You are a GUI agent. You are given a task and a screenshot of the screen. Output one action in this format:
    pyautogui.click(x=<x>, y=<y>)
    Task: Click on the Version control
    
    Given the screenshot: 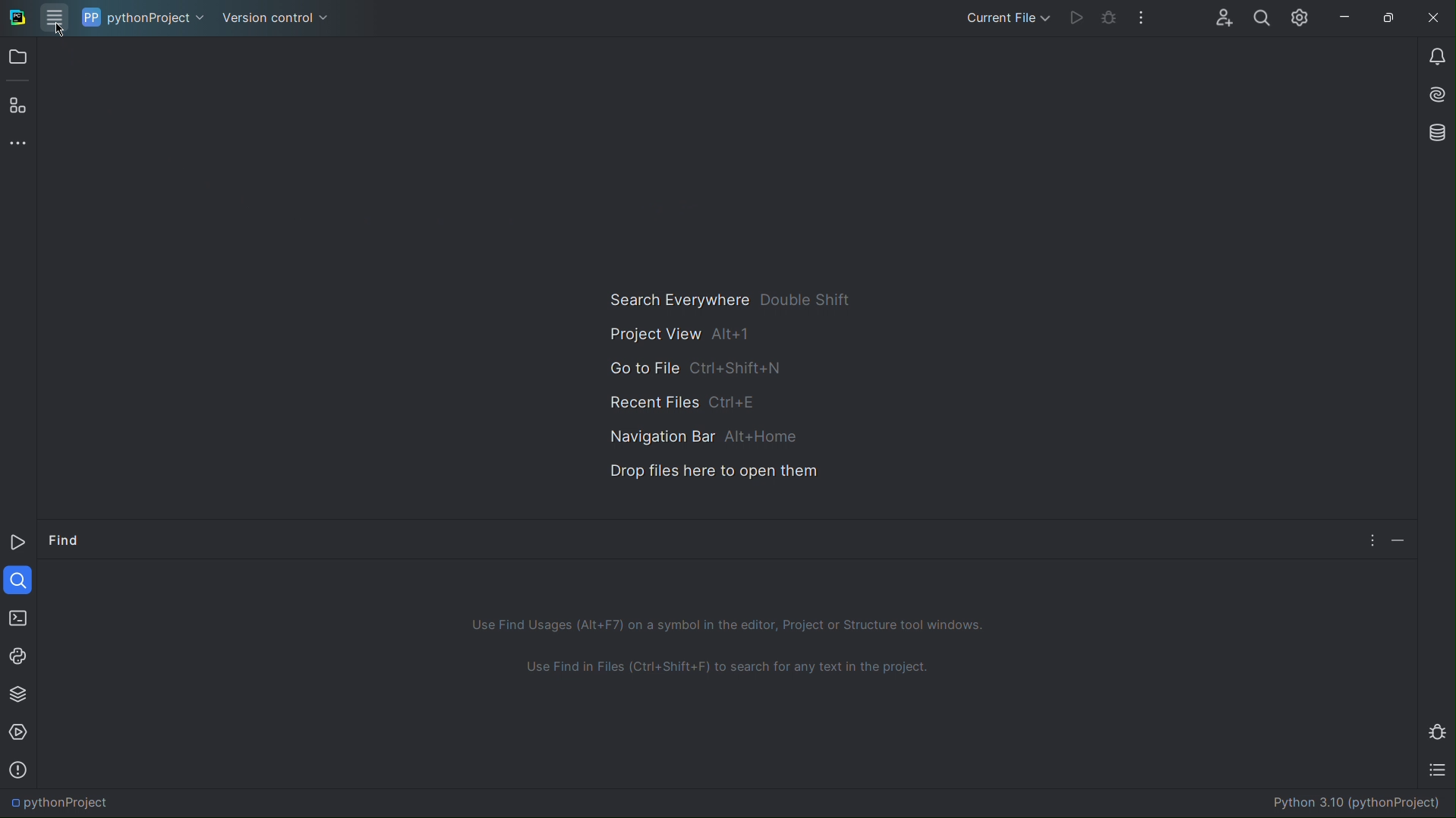 What is the action you would take?
    pyautogui.click(x=278, y=19)
    